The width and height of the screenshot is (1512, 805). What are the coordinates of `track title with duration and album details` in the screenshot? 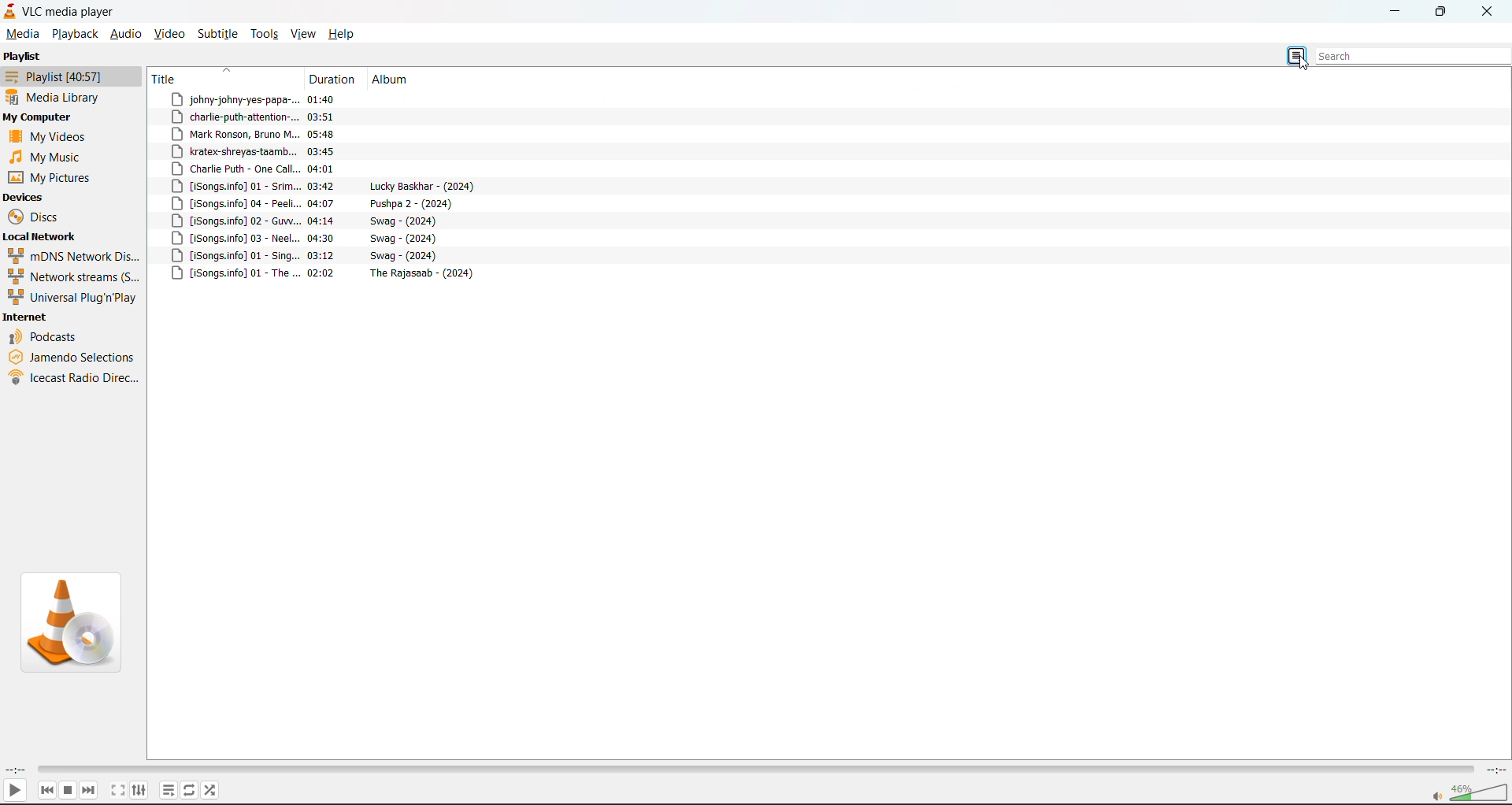 It's located at (293, 117).